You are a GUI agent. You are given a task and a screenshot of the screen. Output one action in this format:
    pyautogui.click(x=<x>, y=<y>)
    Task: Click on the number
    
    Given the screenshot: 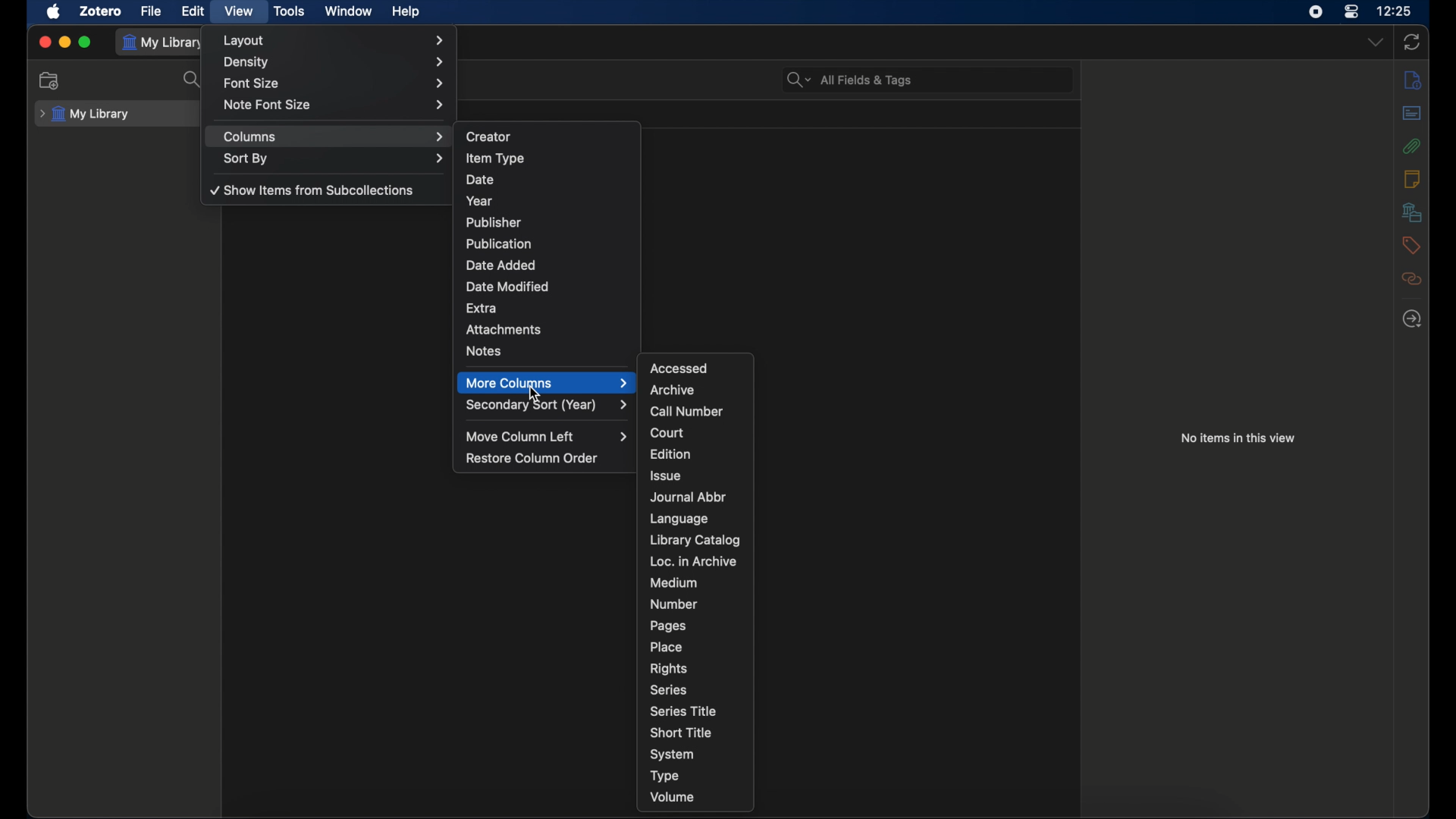 What is the action you would take?
    pyautogui.click(x=673, y=604)
    